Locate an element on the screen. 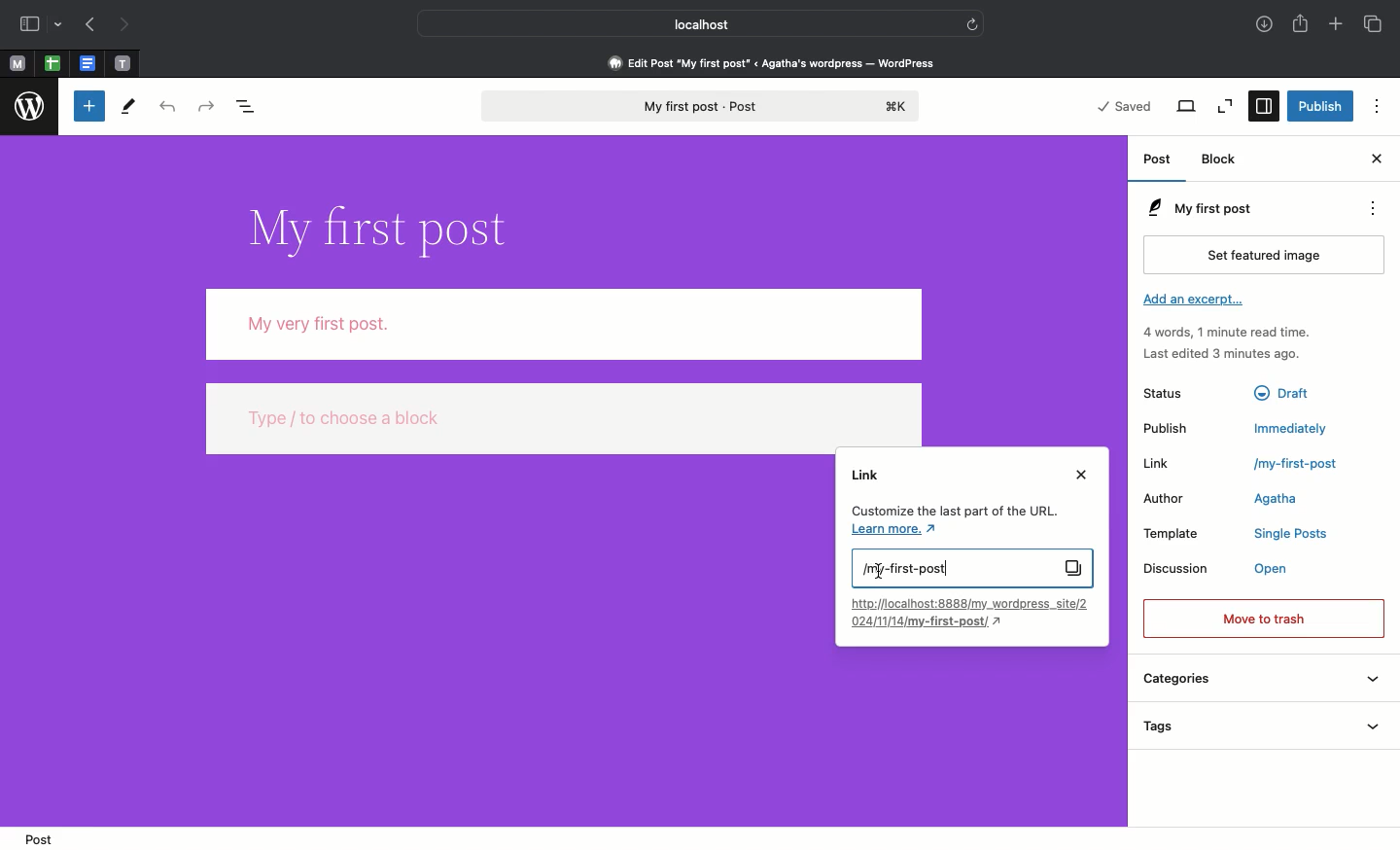  Post is located at coordinates (1159, 159).